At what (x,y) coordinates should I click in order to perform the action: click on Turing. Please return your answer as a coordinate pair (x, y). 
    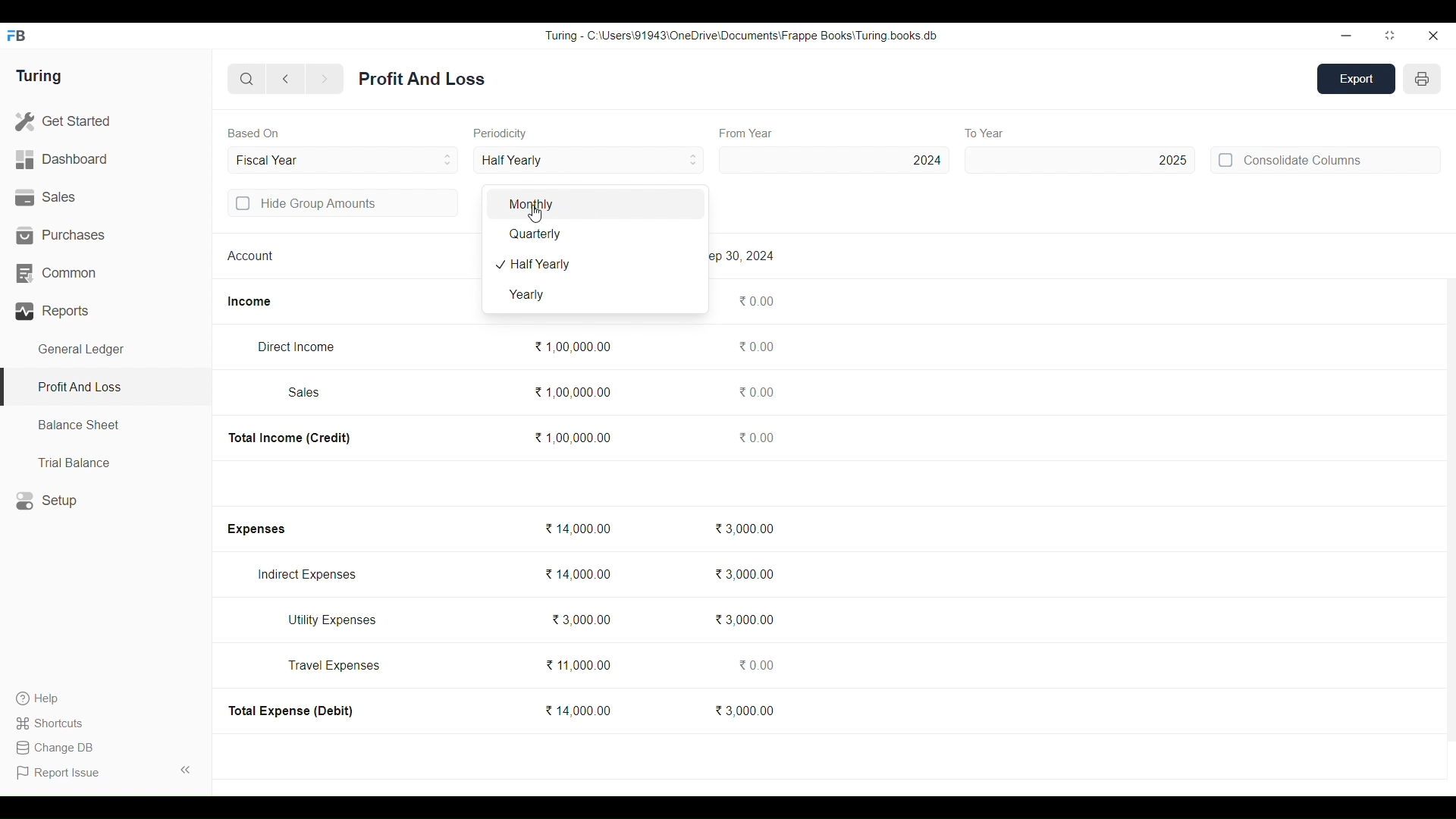
    Looking at the image, I should click on (38, 77).